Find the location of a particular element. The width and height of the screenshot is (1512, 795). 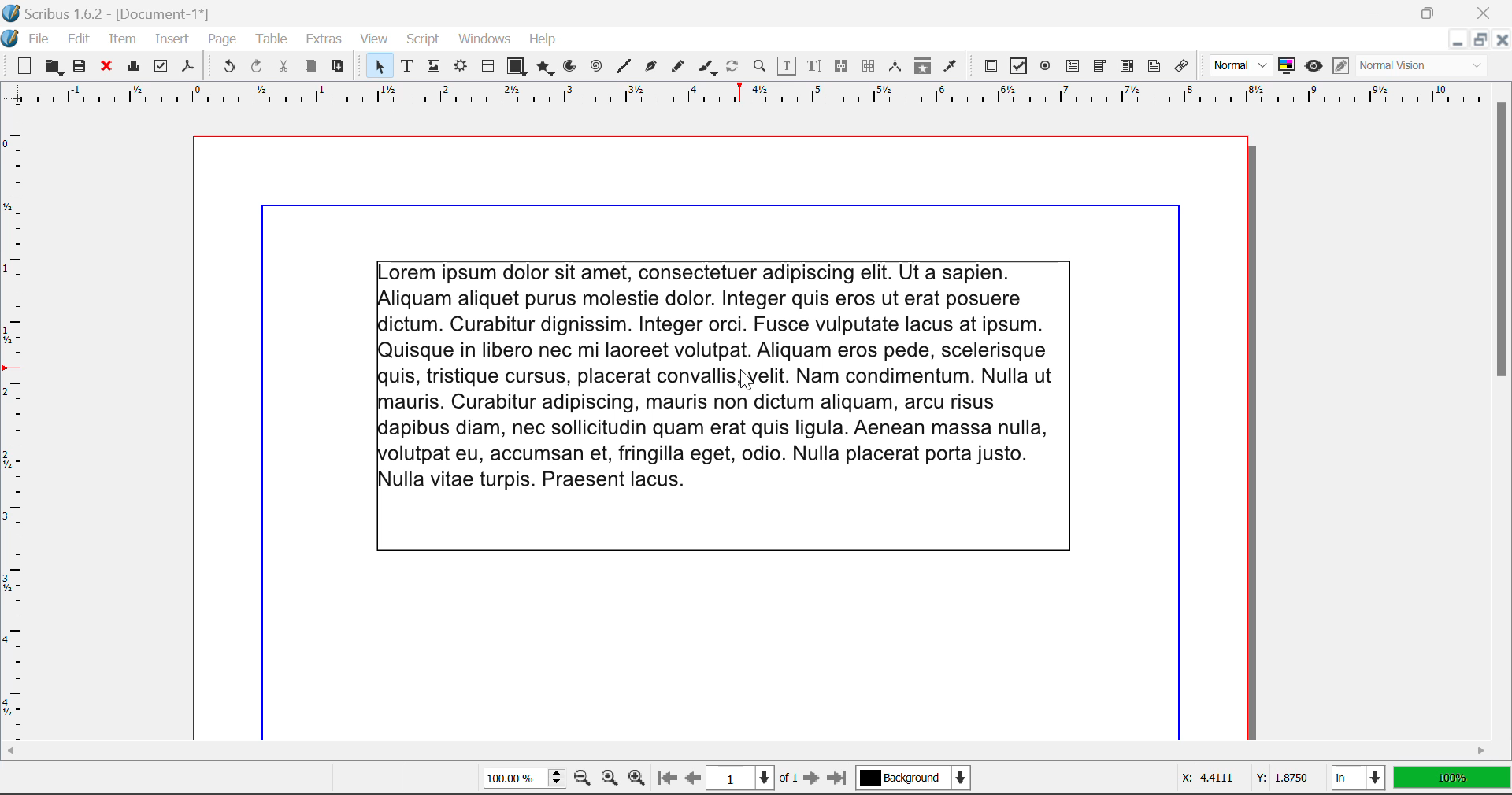

PDF Push Button is located at coordinates (991, 65).